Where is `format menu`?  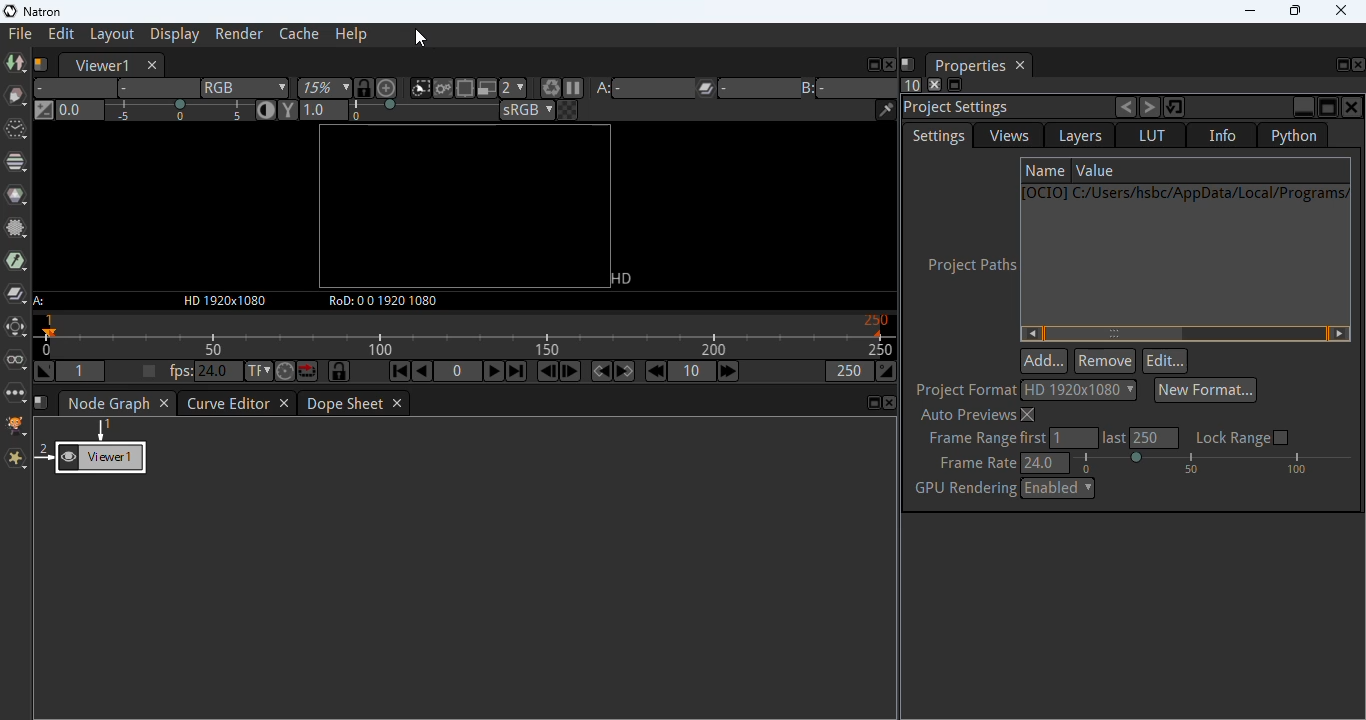 format menu is located at coordinates (1080, 390).